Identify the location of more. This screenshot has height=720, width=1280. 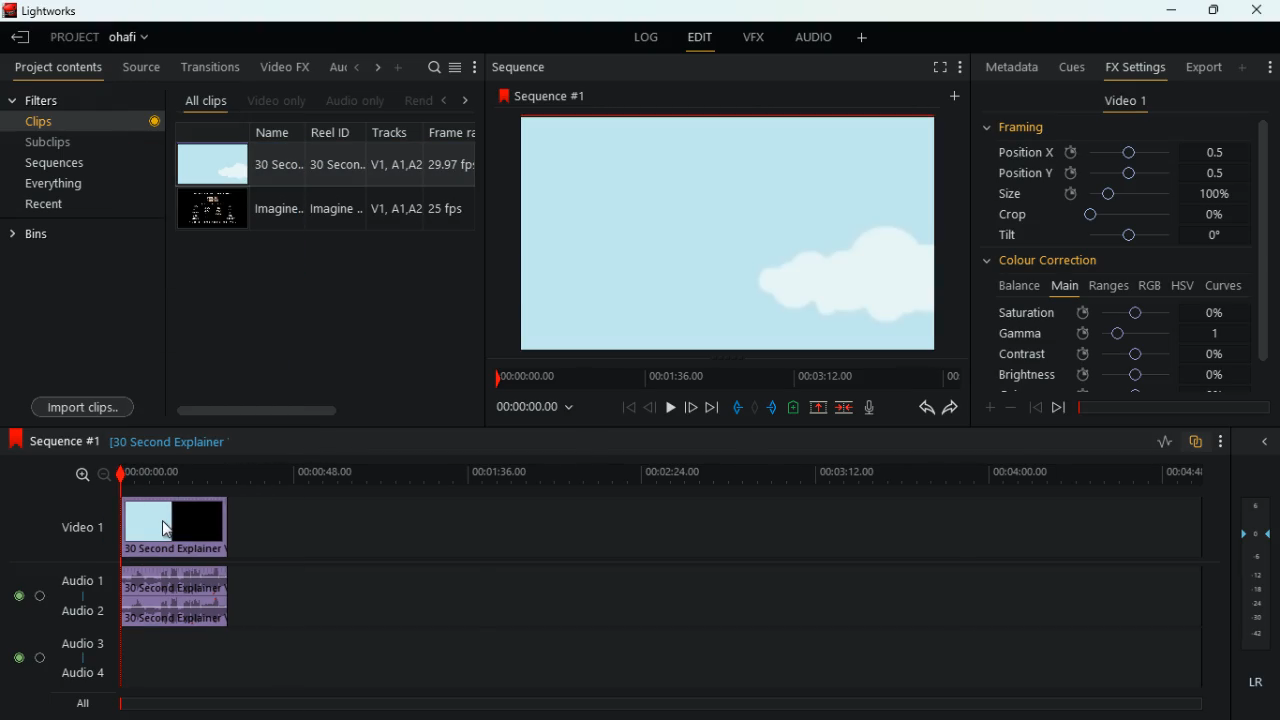
(866, 39).